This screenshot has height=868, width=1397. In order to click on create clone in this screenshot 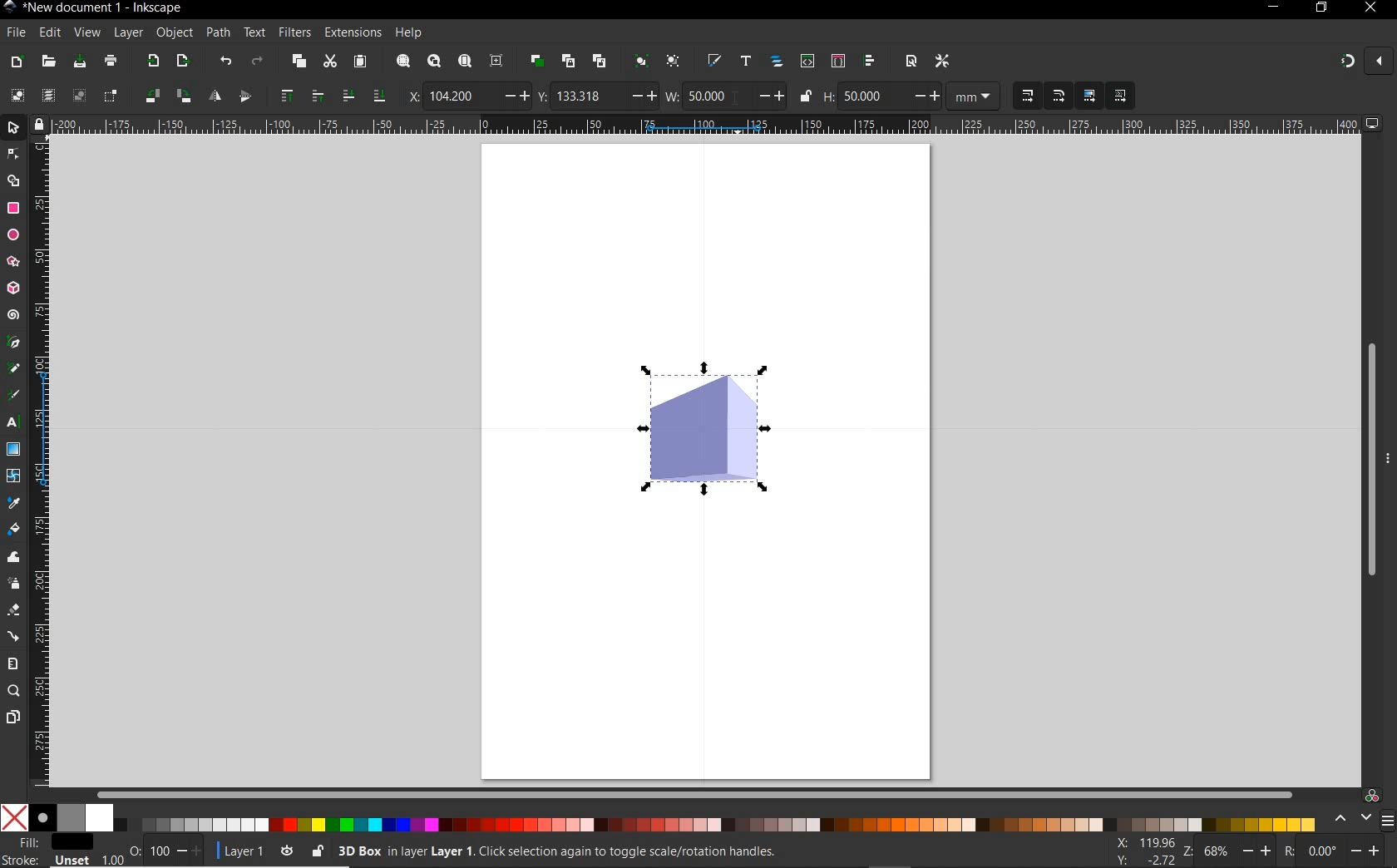, I will do `click(567, 61)`.